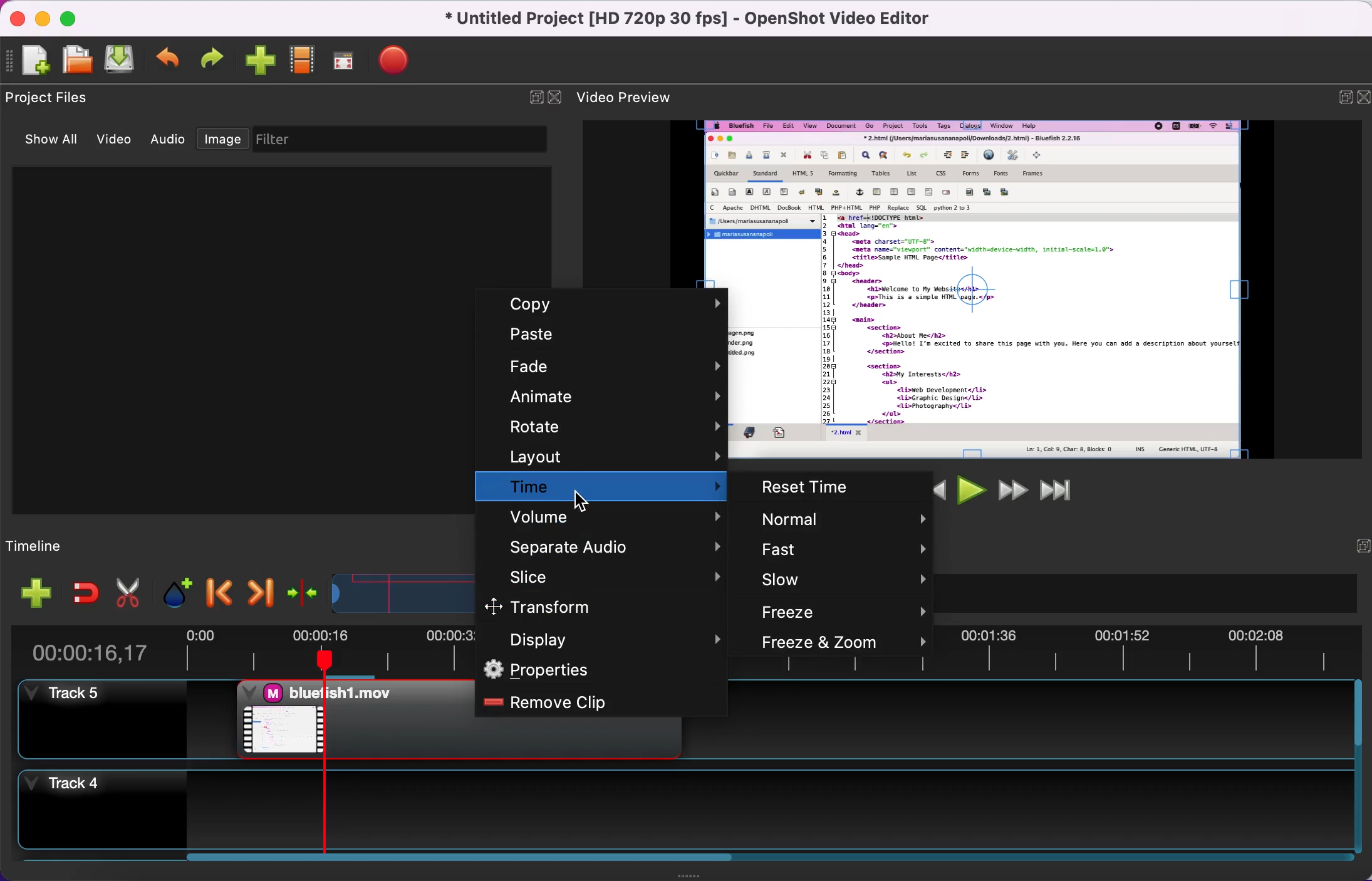 This screenshot has width=1372, height=881. What do you see at coordinates (605, 365) in the screenshot?
I see `fade` at bounding box center [605, 365].